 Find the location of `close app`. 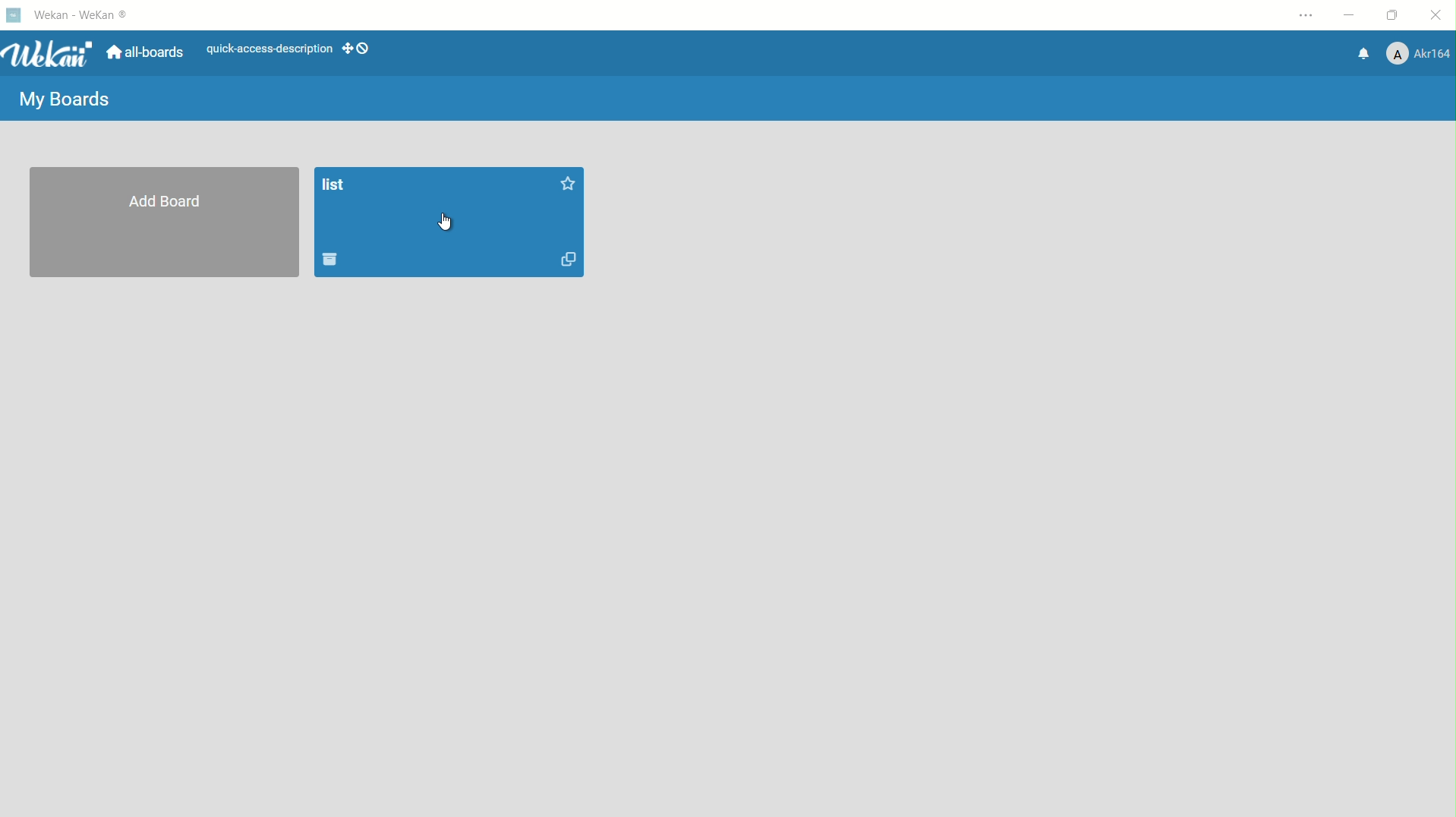

close app is located at coordinates (1437, 18).